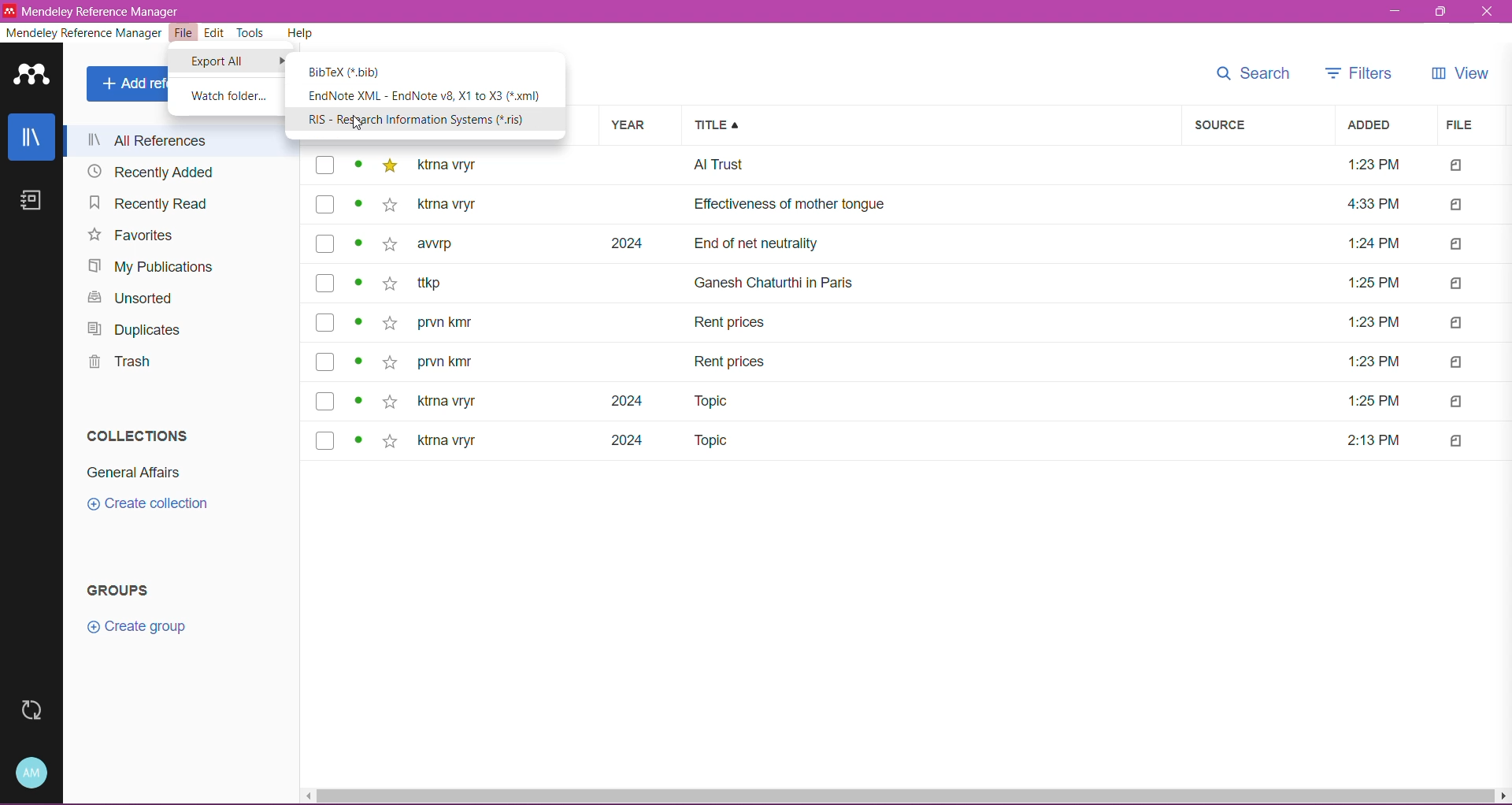 The height and width of the screenshot is (805, 1512). Describe the element at coordinates (427, 98) in the screenshot. I see `EndNote XML - EndNote v8,X1 to X3(*.xml)` at that location.